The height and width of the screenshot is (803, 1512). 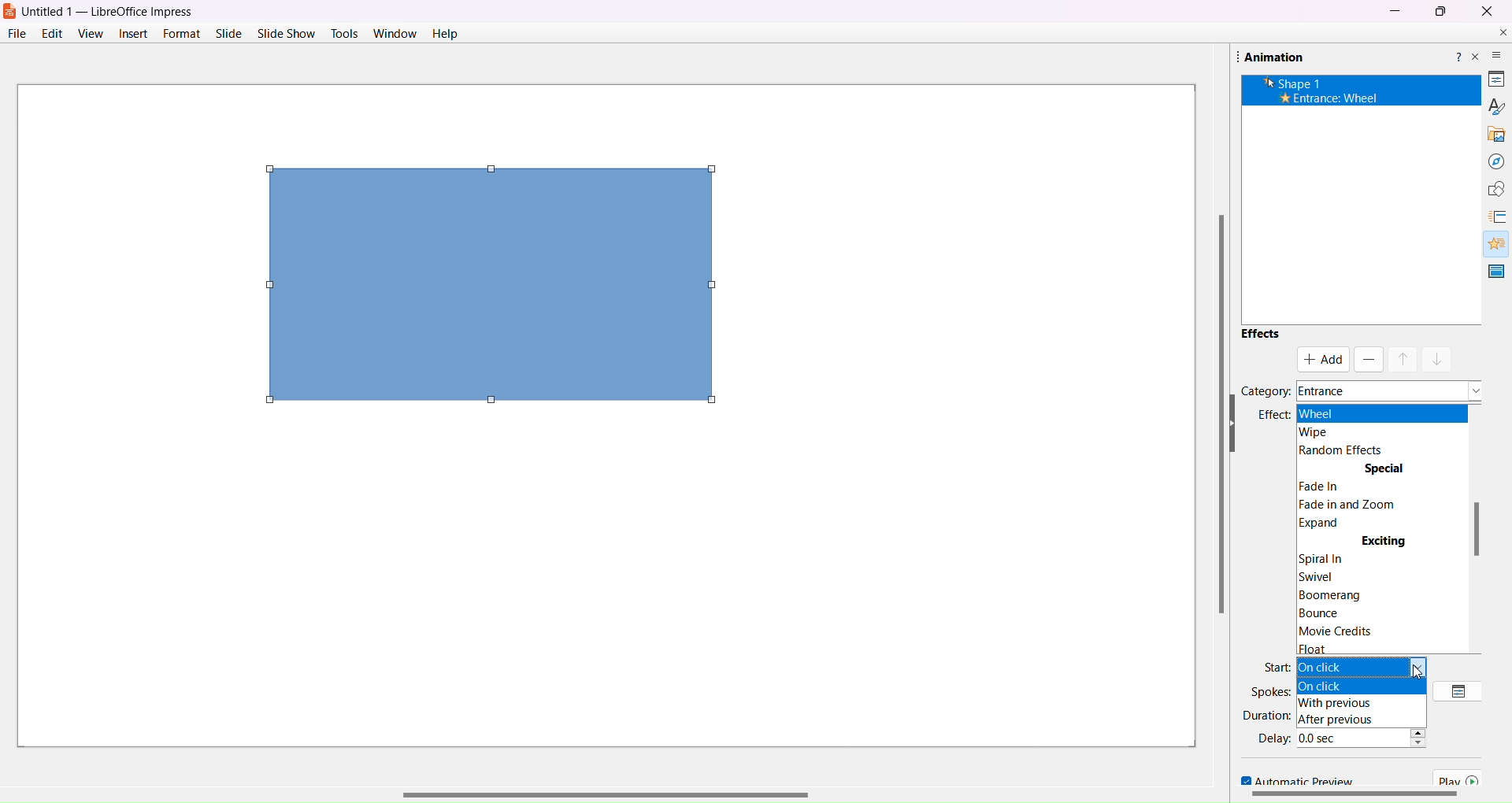 I want to click on Duration increase/decrease, so click(x=1422, y=714).